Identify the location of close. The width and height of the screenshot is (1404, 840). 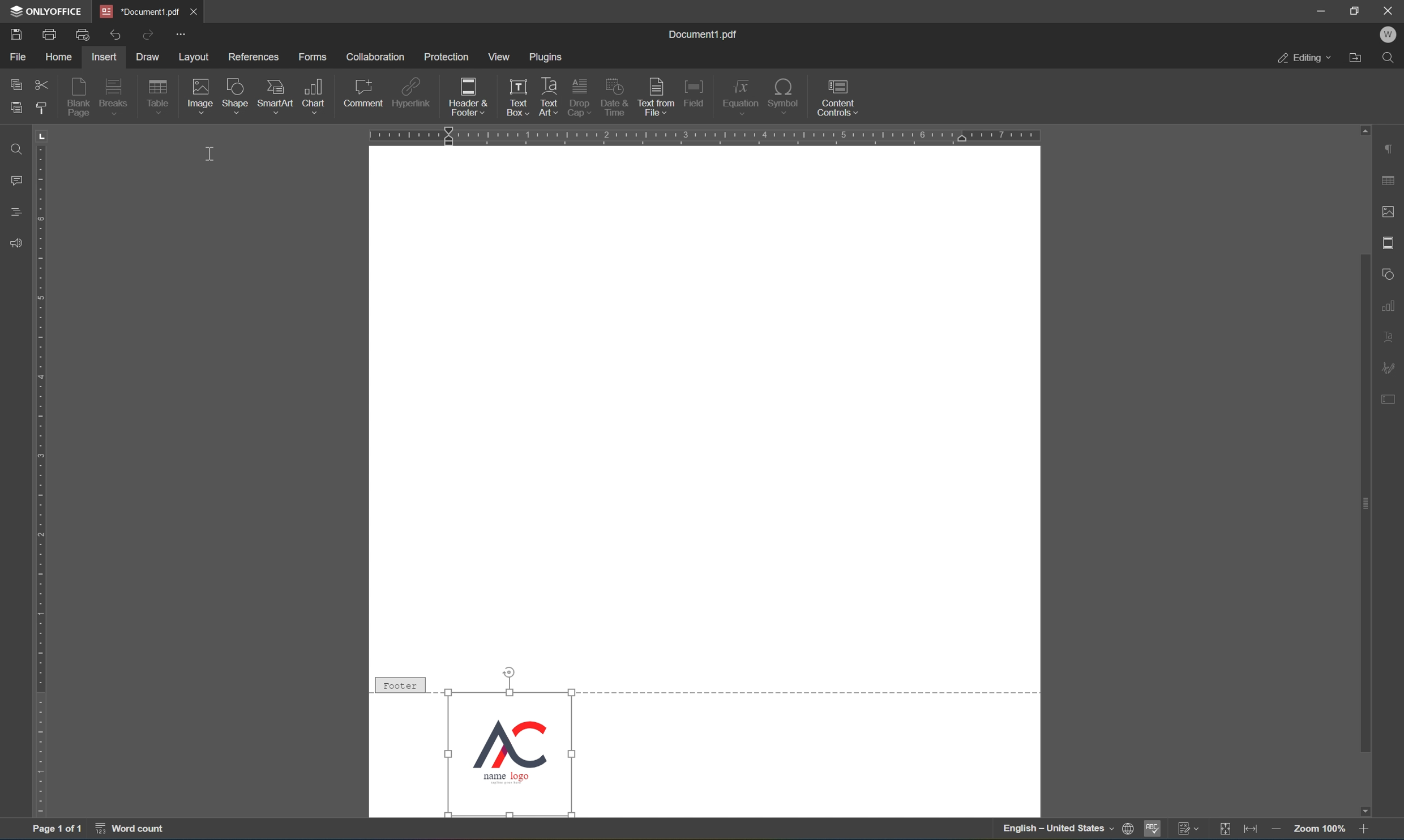
(203, 14).